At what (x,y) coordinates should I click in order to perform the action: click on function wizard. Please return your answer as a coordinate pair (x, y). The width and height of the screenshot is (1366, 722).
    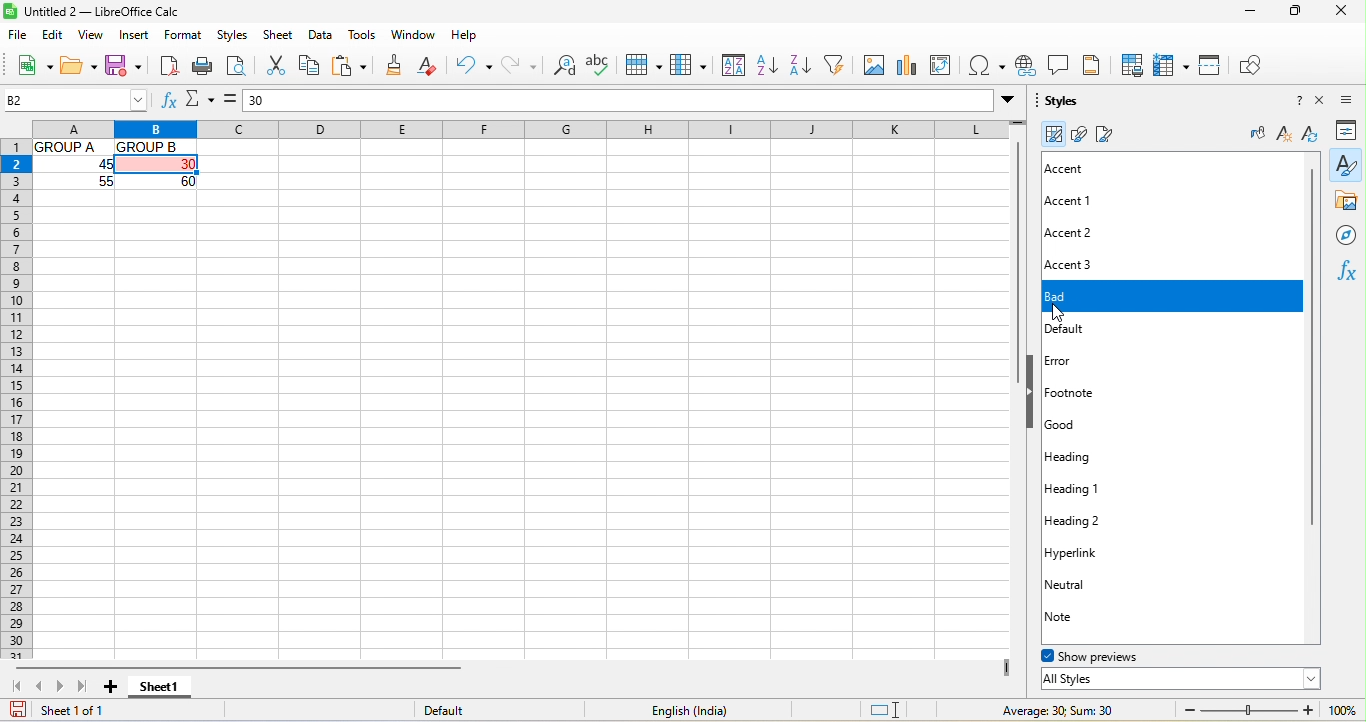
    Looking at the image, I should click on (166, 103).